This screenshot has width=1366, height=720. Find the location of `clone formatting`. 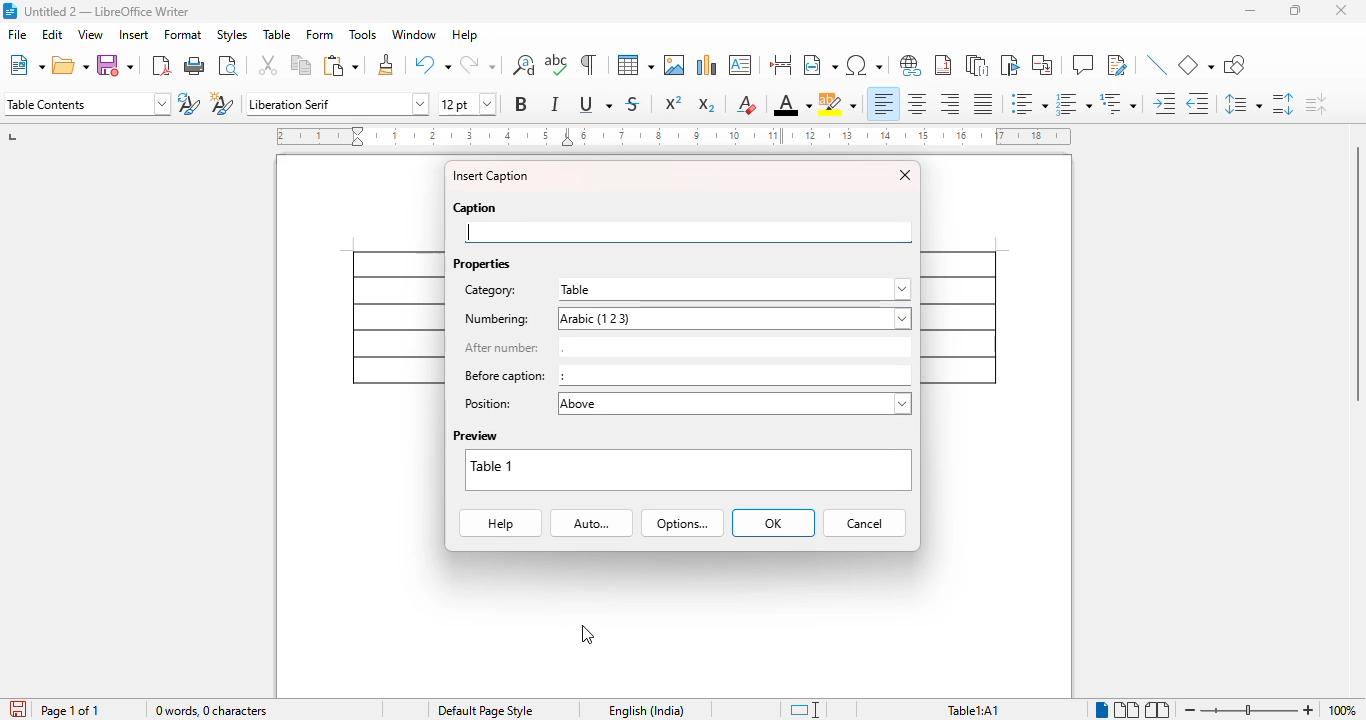

clone formatting is located at coordinates (387, 64).